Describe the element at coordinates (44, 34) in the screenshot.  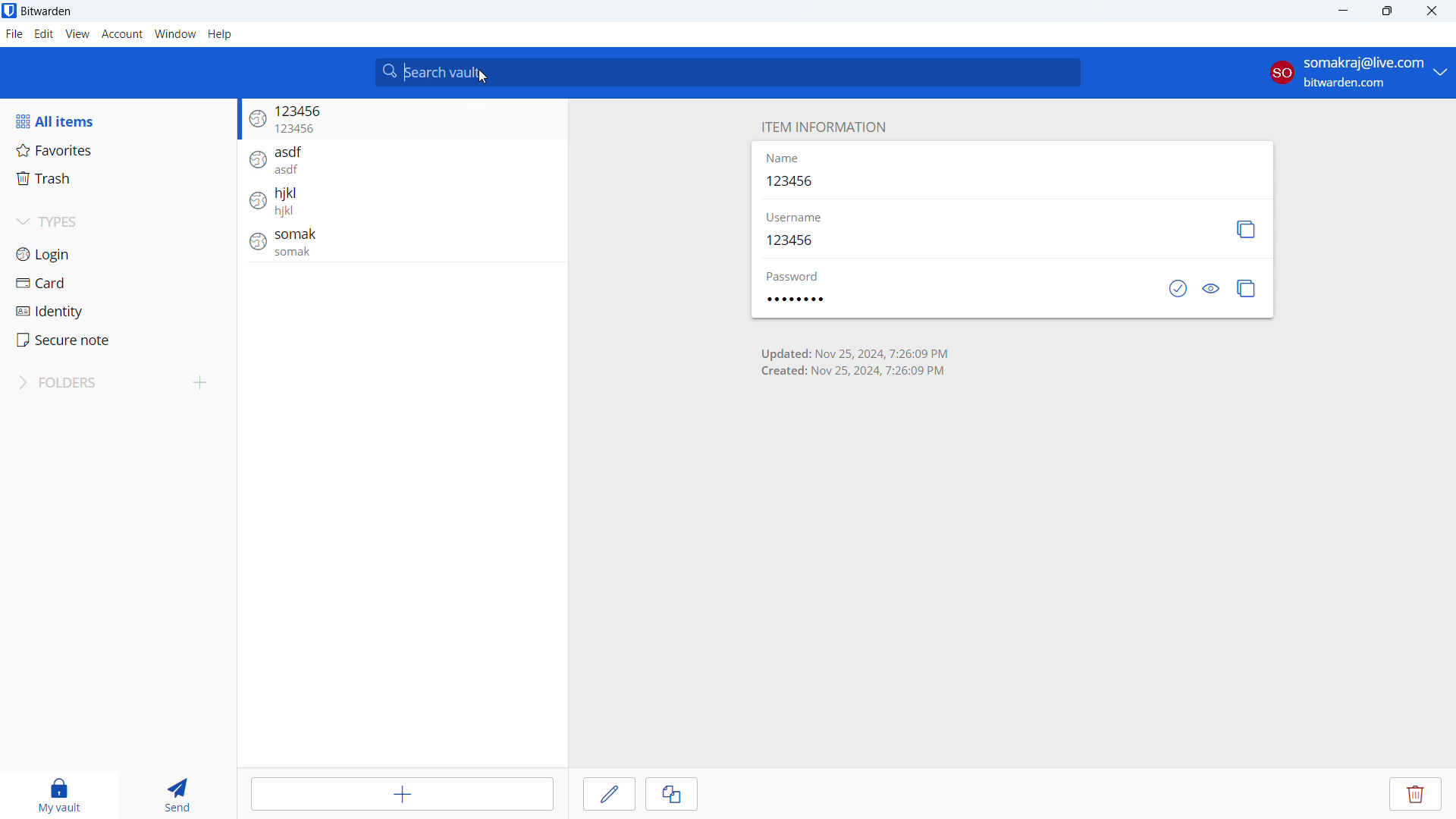
I see `edit` at that location.